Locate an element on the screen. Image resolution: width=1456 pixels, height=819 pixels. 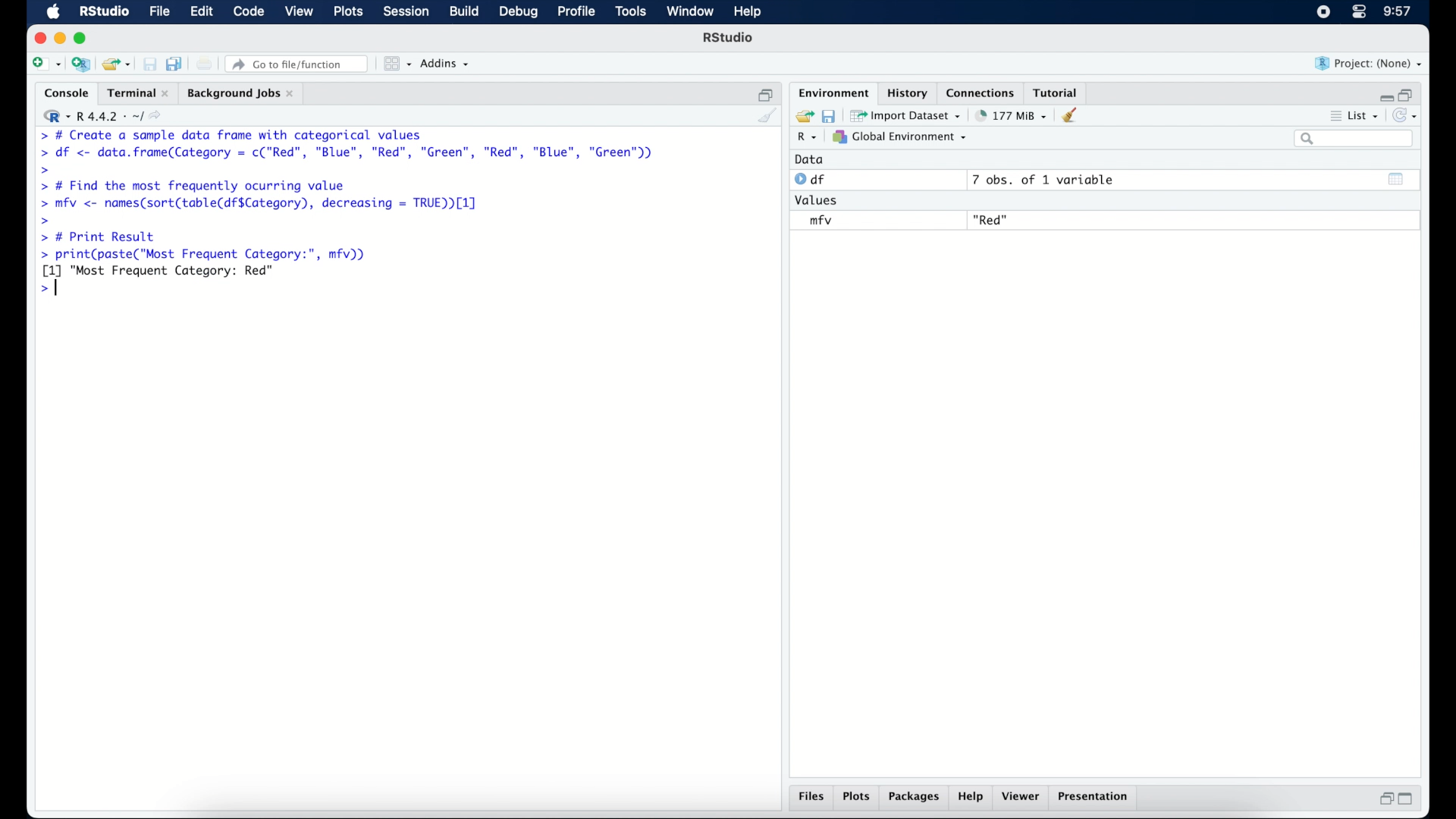
data is located at coordinates (814, 159).